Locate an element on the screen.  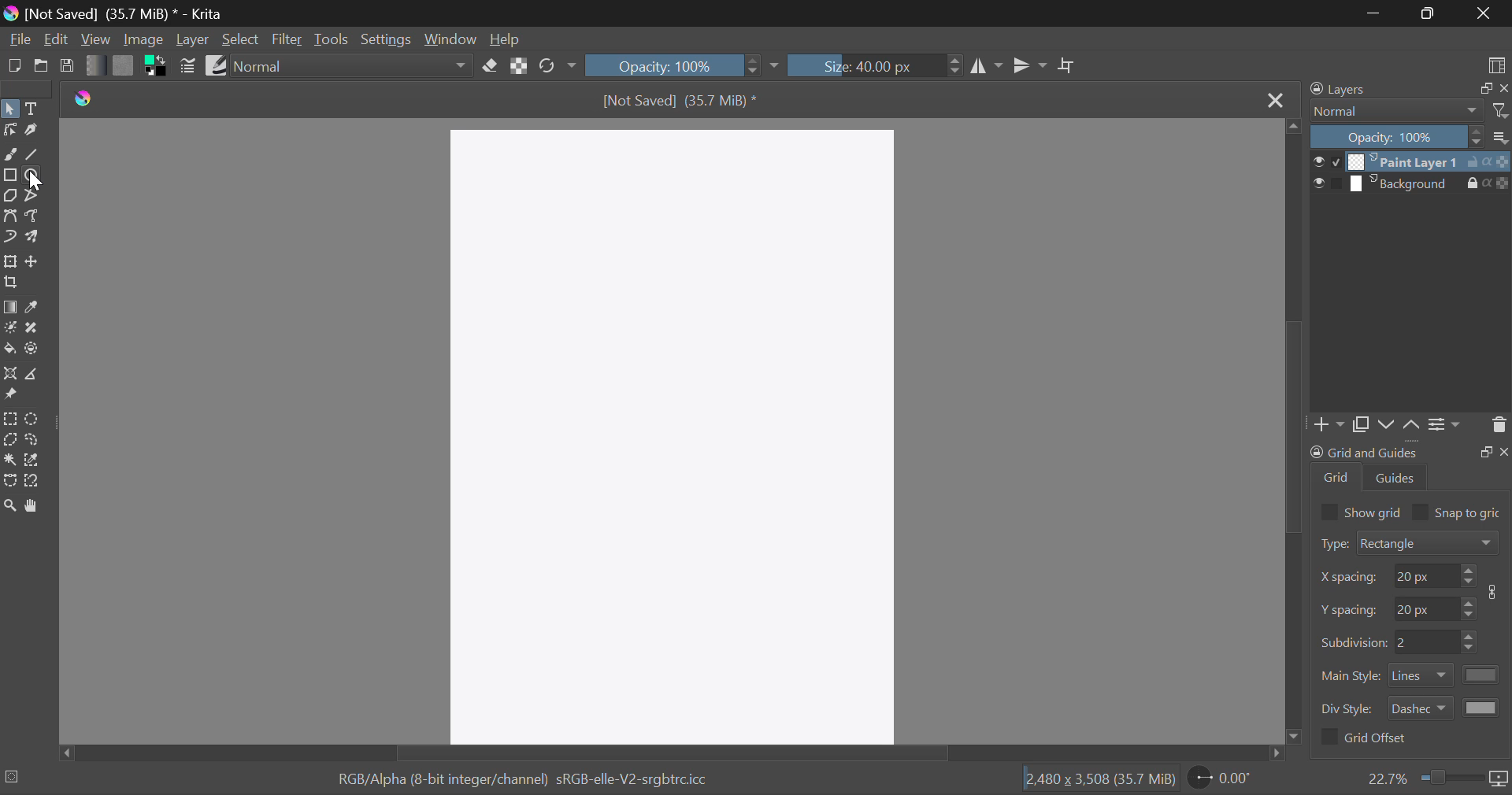
Window is located at coordinates (450, 41).